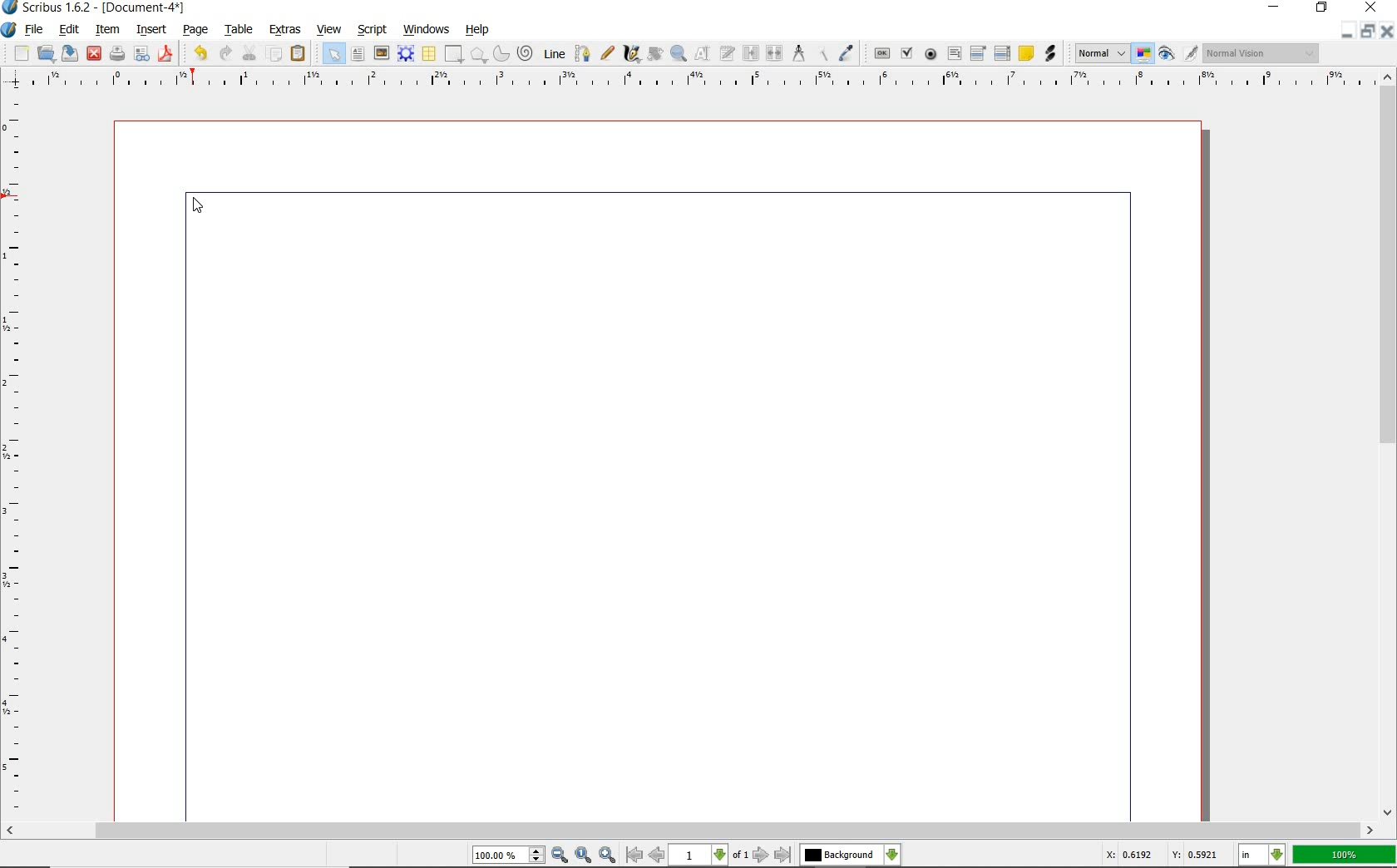  I want to click on scrollbar, so click(690, 830).